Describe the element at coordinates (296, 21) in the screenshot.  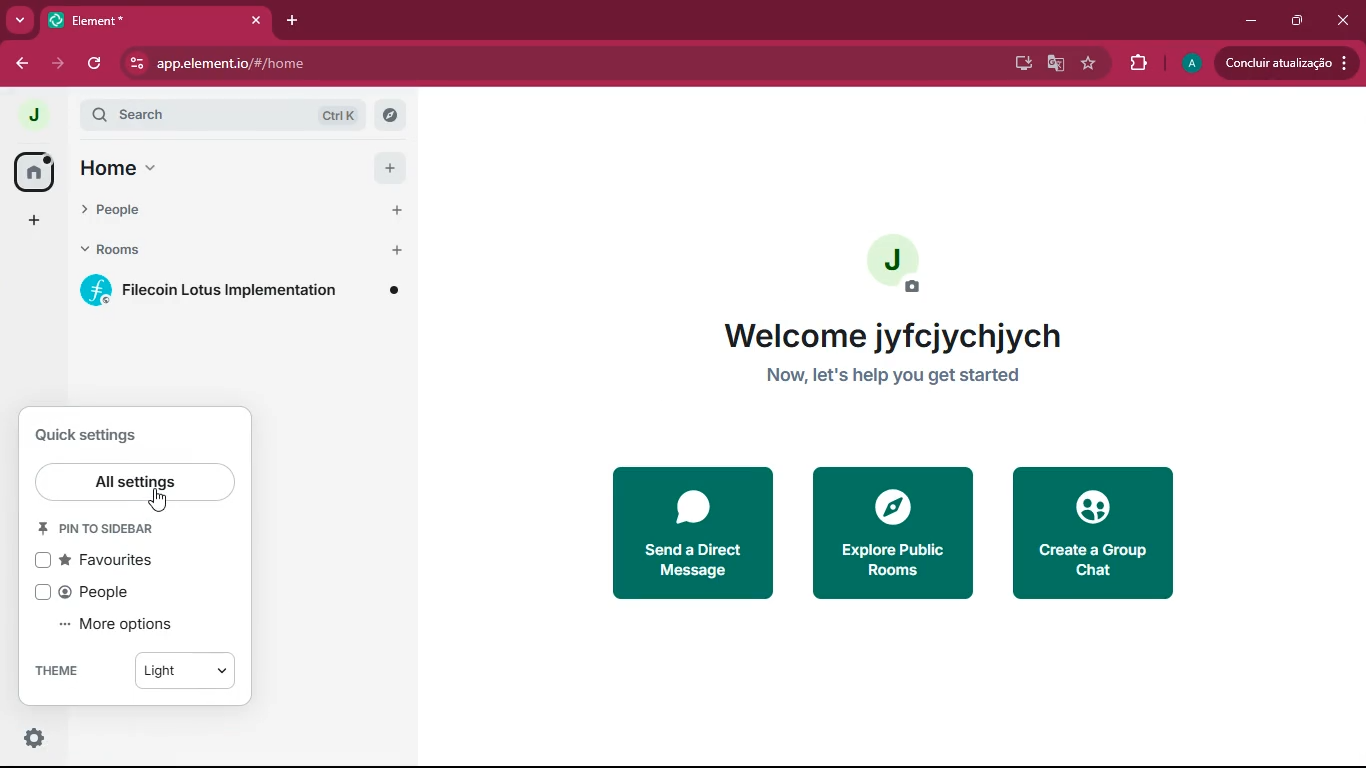
I see `add tab` at that location.